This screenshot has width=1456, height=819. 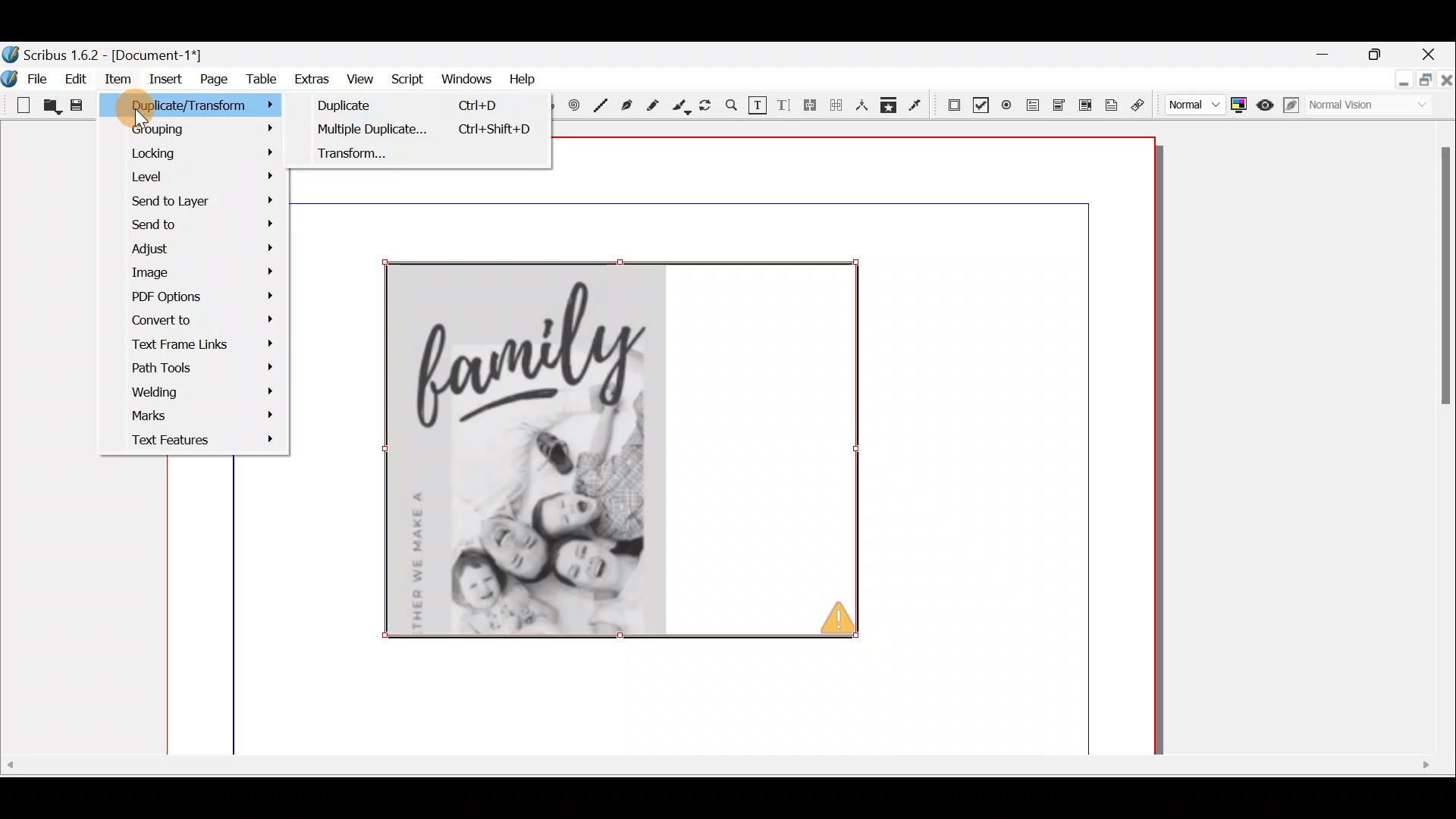 What do you see at coordinates (202, 318) in the screenshot?
I see `Convert to` at bounding box center [202, 318].